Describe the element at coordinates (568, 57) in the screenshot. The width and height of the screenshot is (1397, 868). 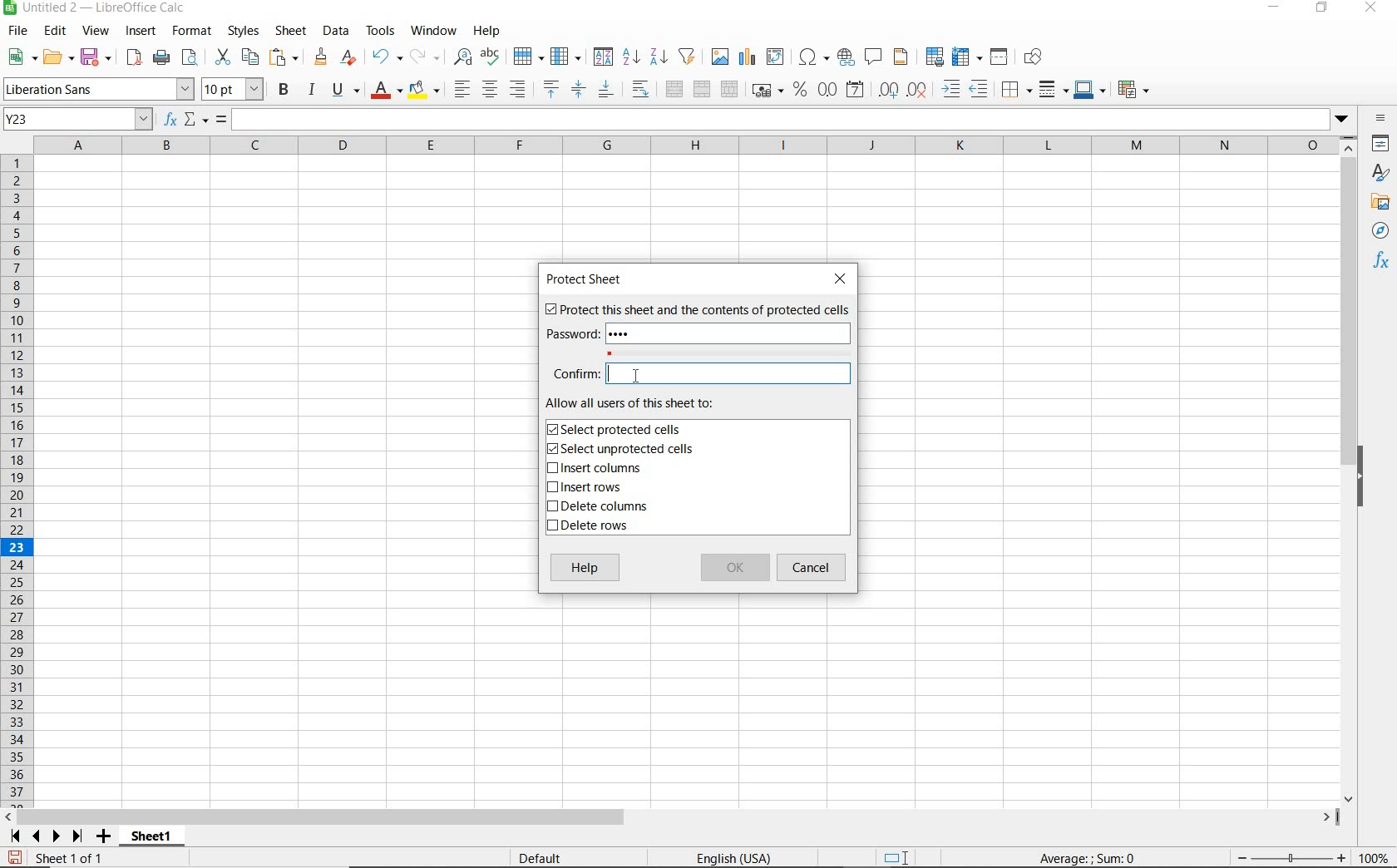
I see `COLUMN` at that location.